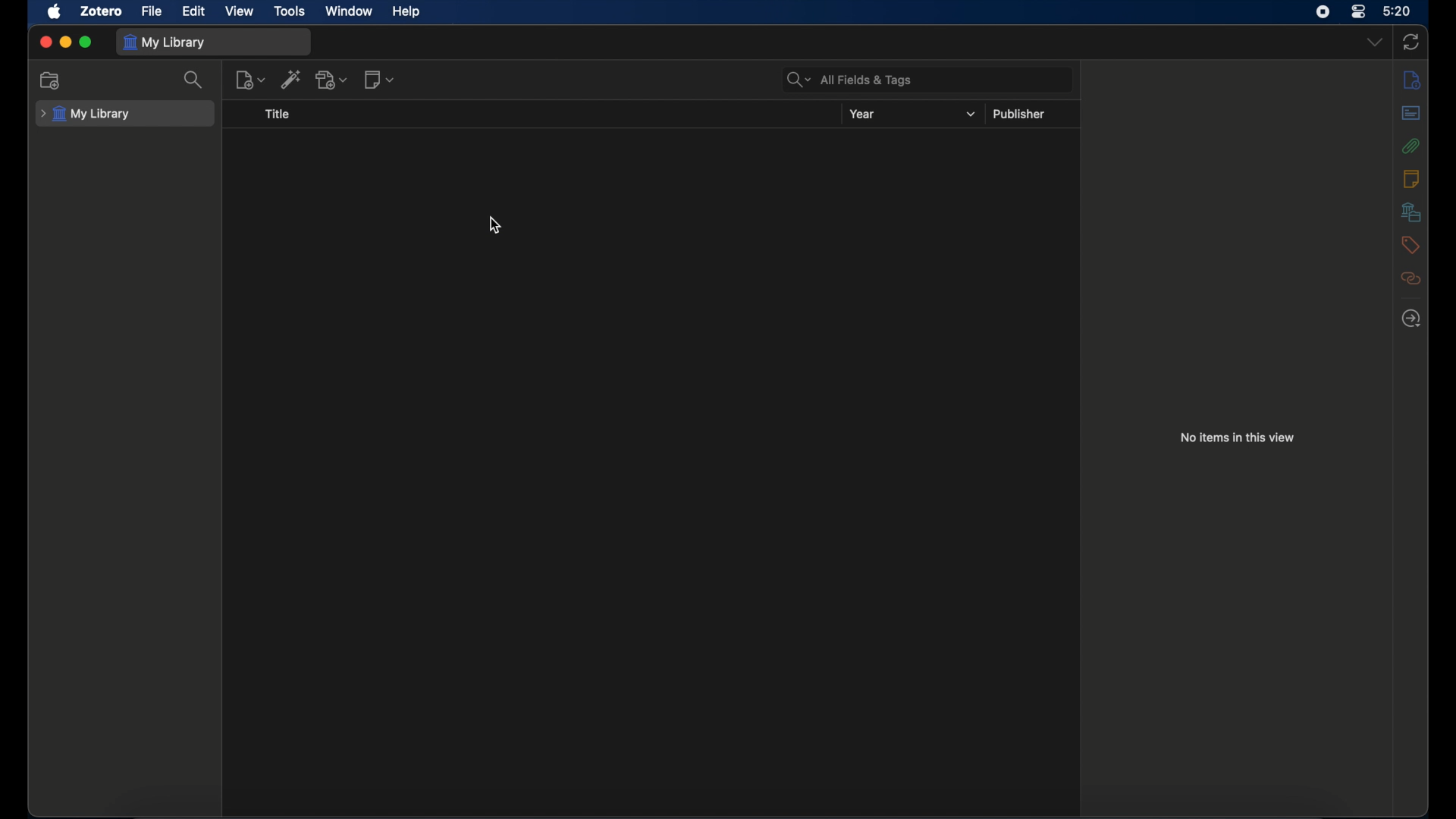  I want to click on new collection, so click(51, 80).